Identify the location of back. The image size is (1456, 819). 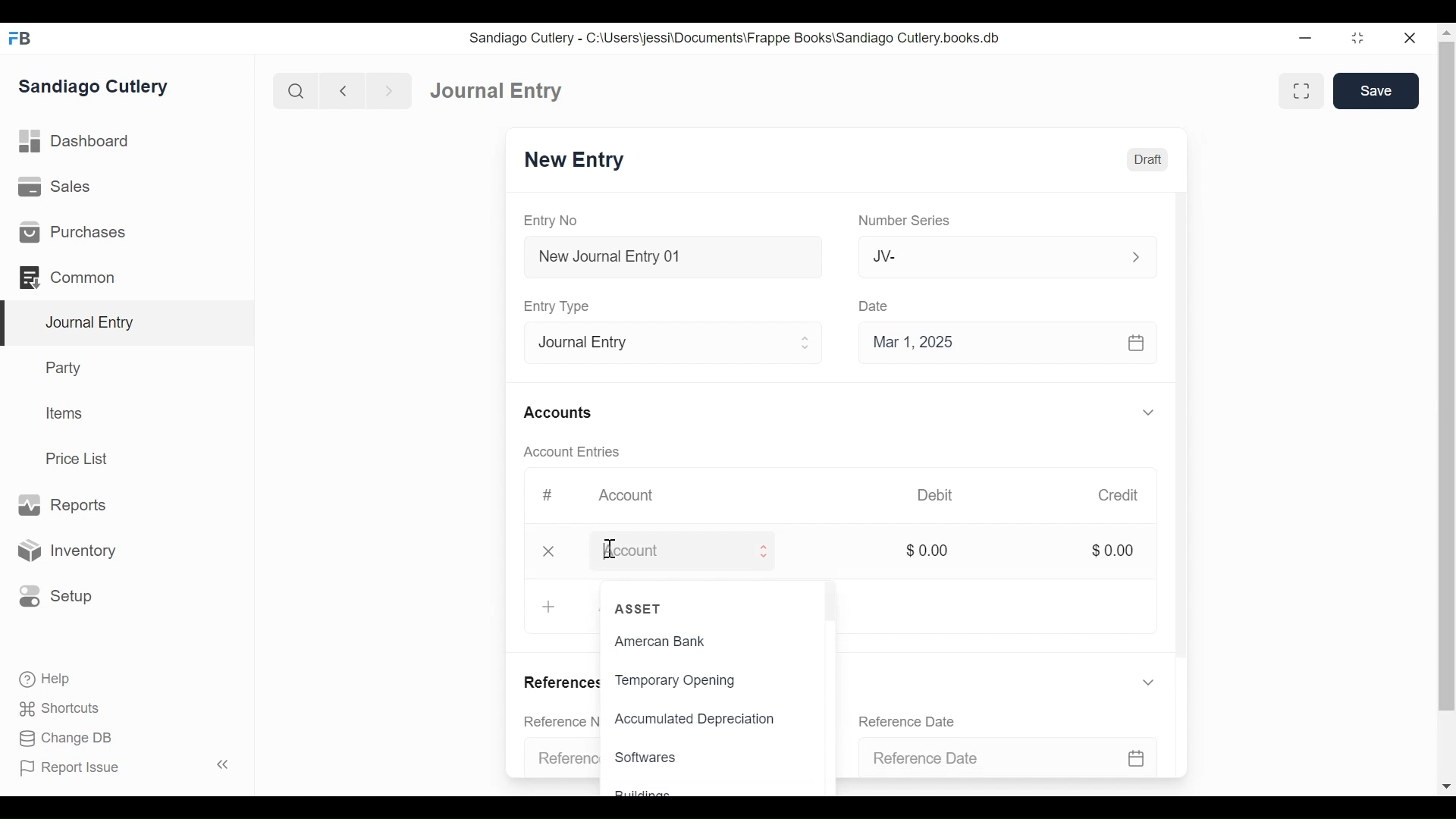
(343, 89).